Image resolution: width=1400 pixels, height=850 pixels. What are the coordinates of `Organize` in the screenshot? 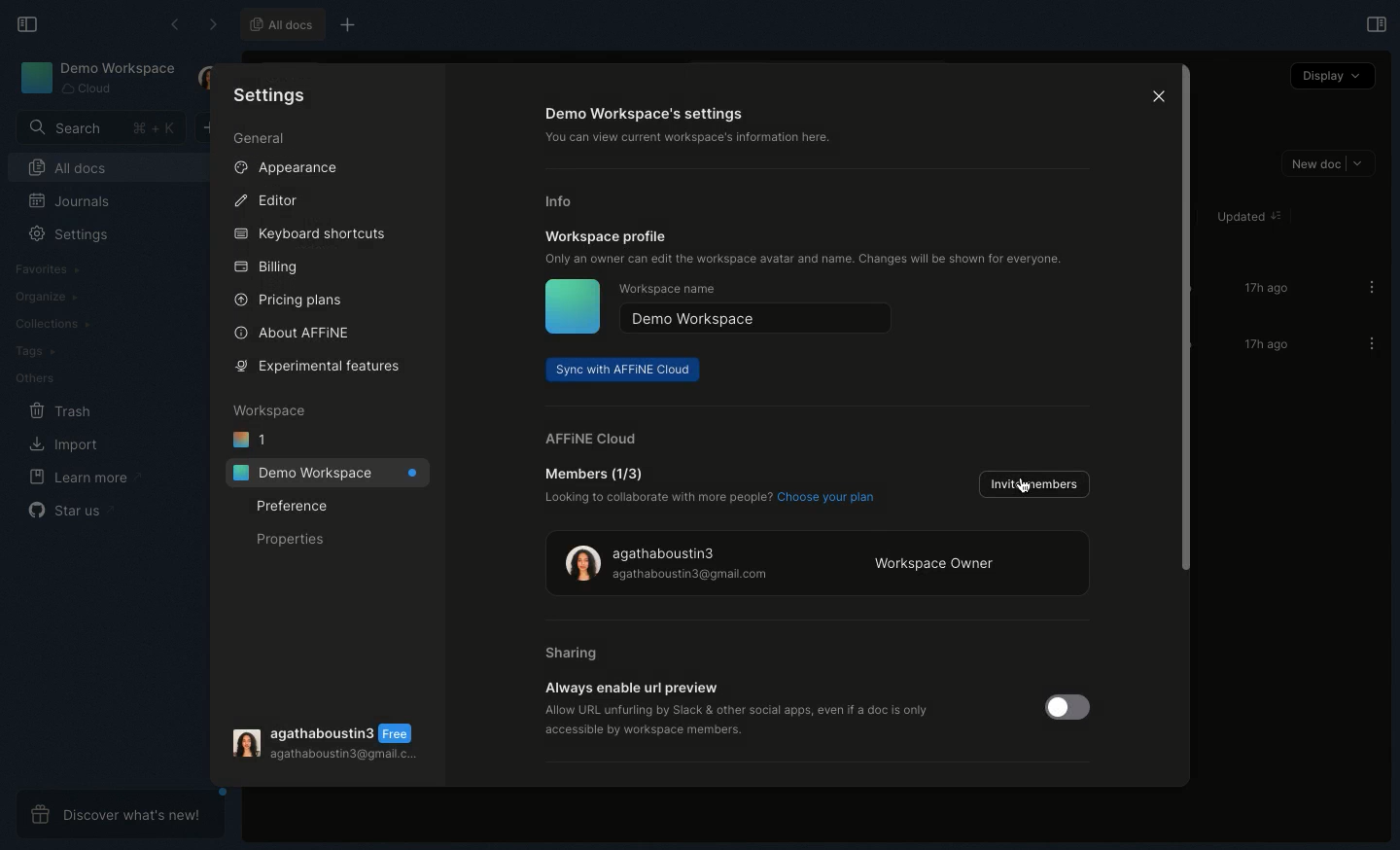 It's located at (45, 295).